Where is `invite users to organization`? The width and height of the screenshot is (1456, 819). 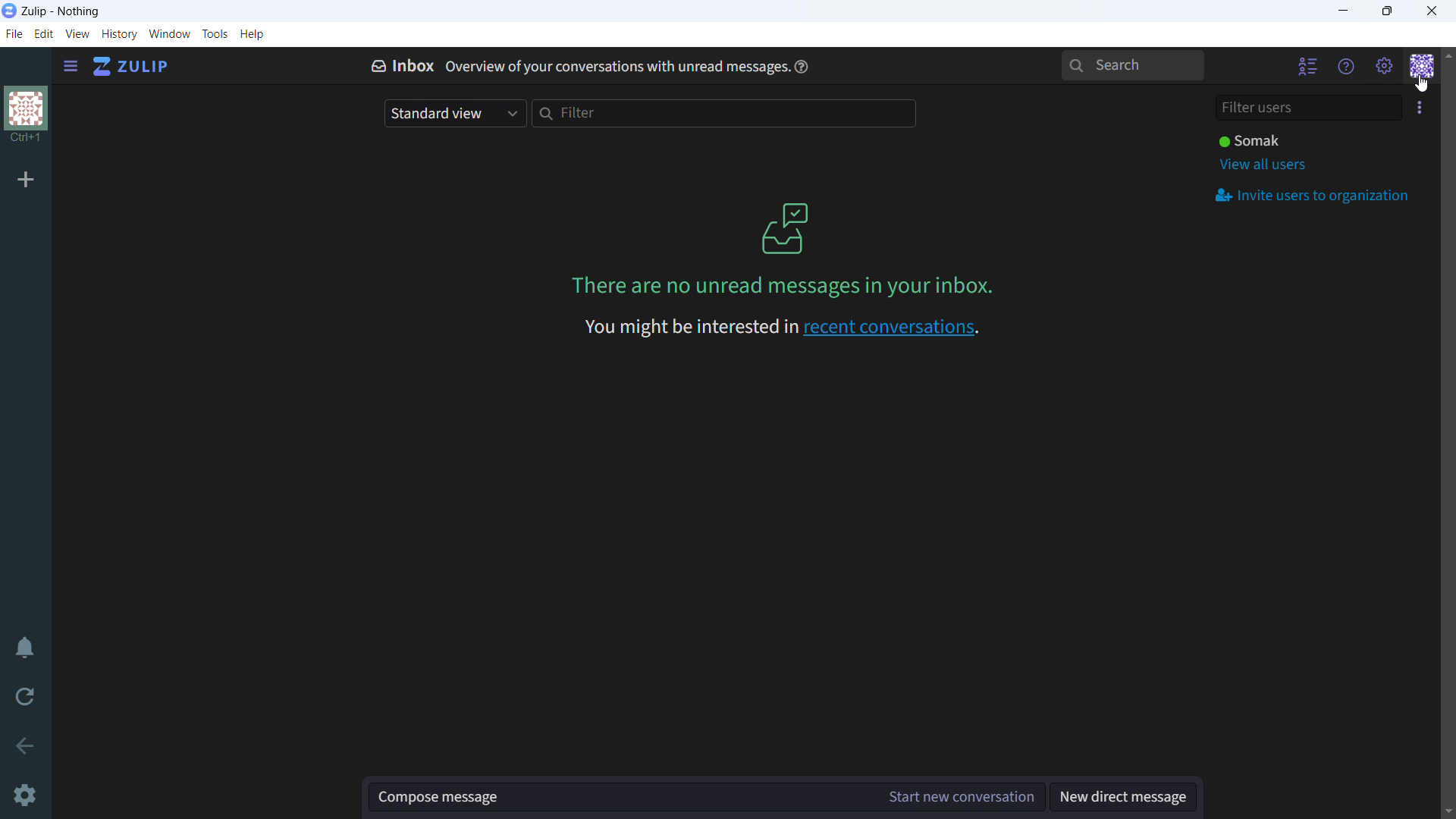
invite users to organization is located at coordinates (1418, 108).